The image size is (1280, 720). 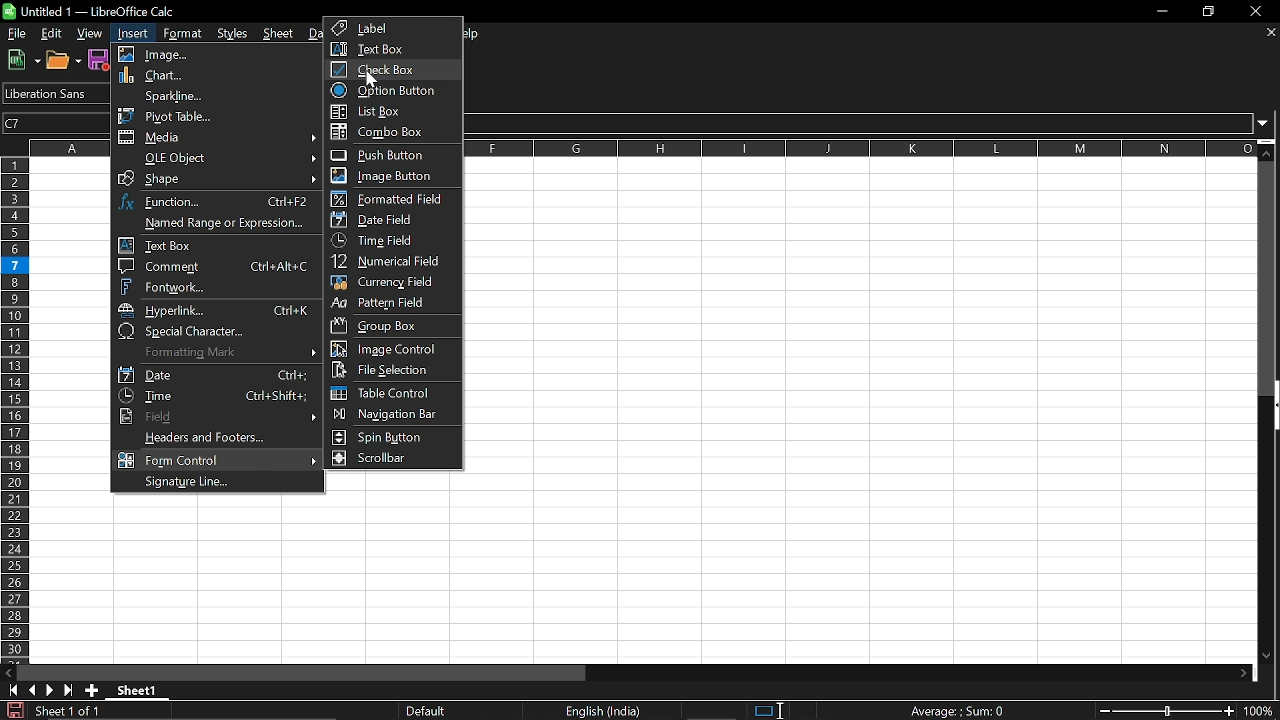 What do you see at coordinates (57, 122) in the screenshot?
I see `Name box` at bounding box center [57, 122].